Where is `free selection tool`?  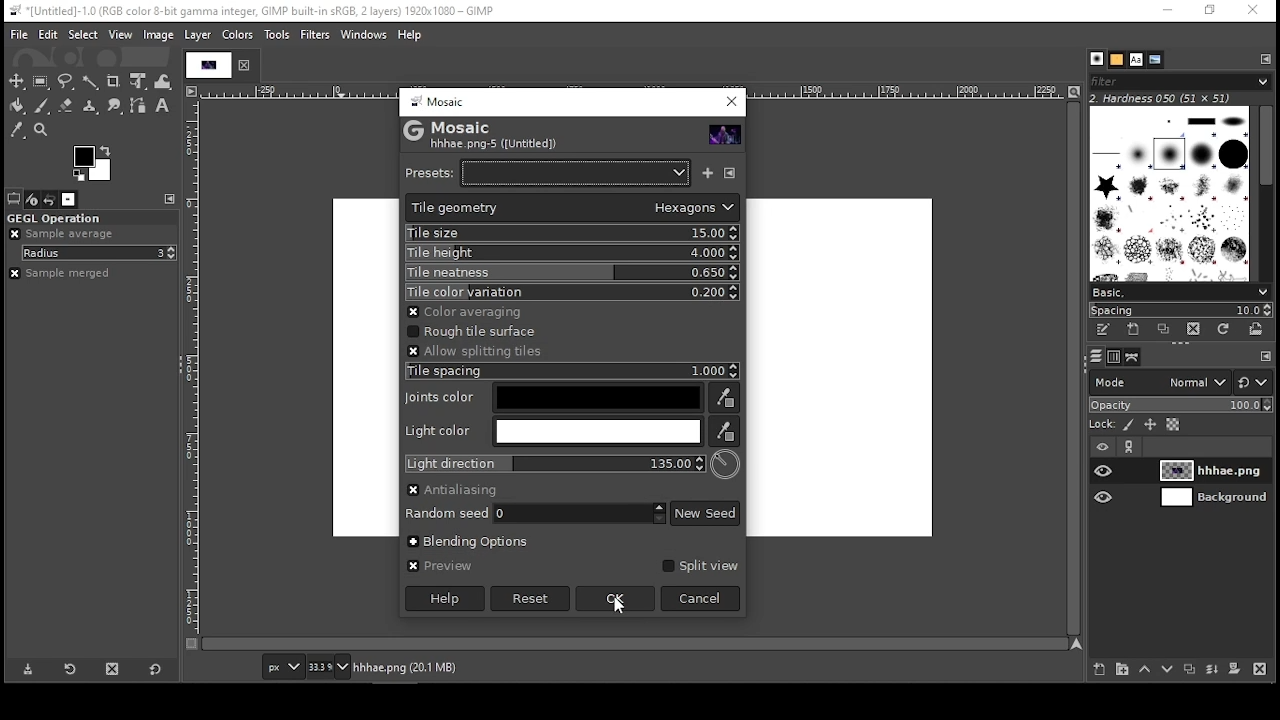
free selection tool is located at coordinates (65, 81).